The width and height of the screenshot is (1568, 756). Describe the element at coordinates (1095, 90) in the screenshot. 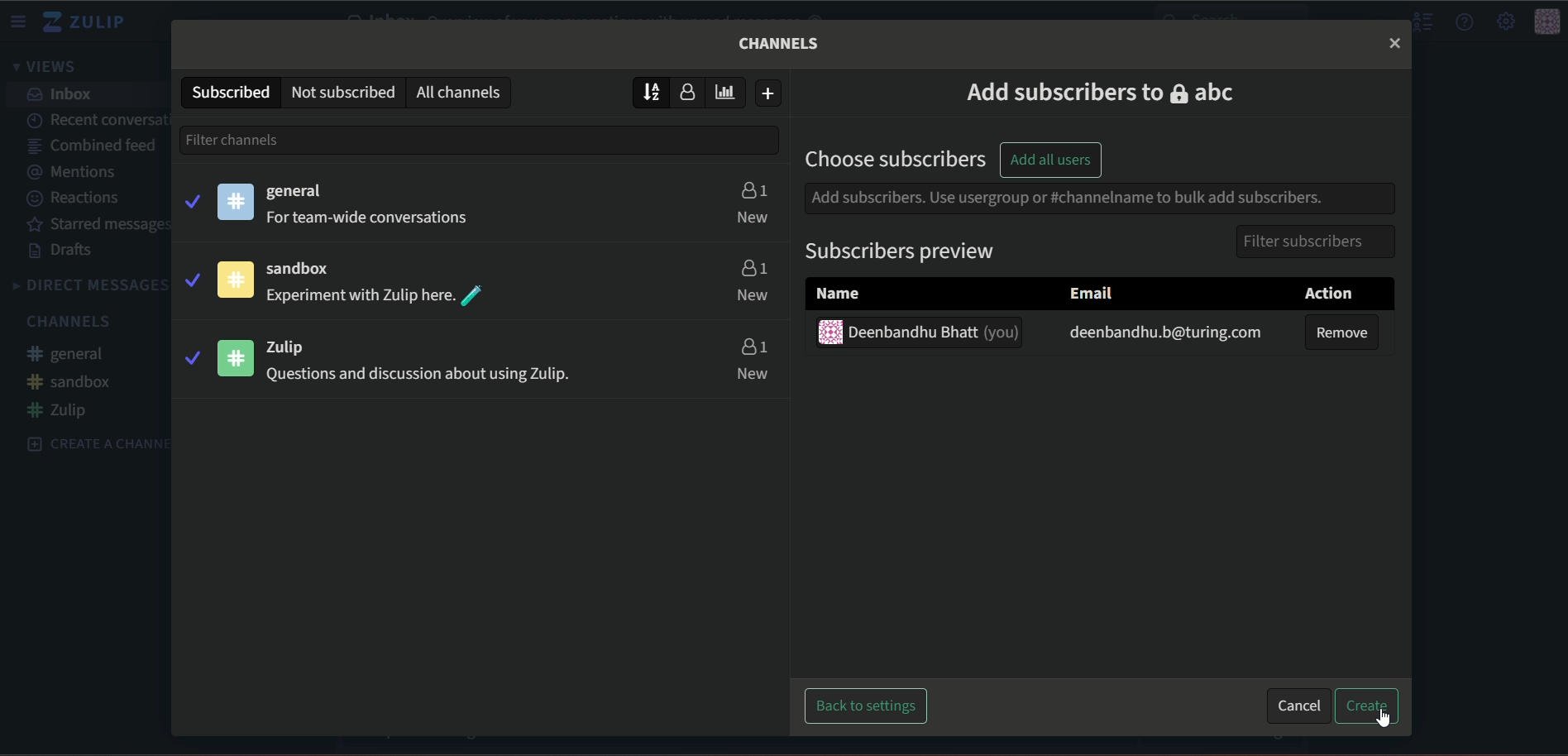

I see `add a subscribers to abc` at that location.